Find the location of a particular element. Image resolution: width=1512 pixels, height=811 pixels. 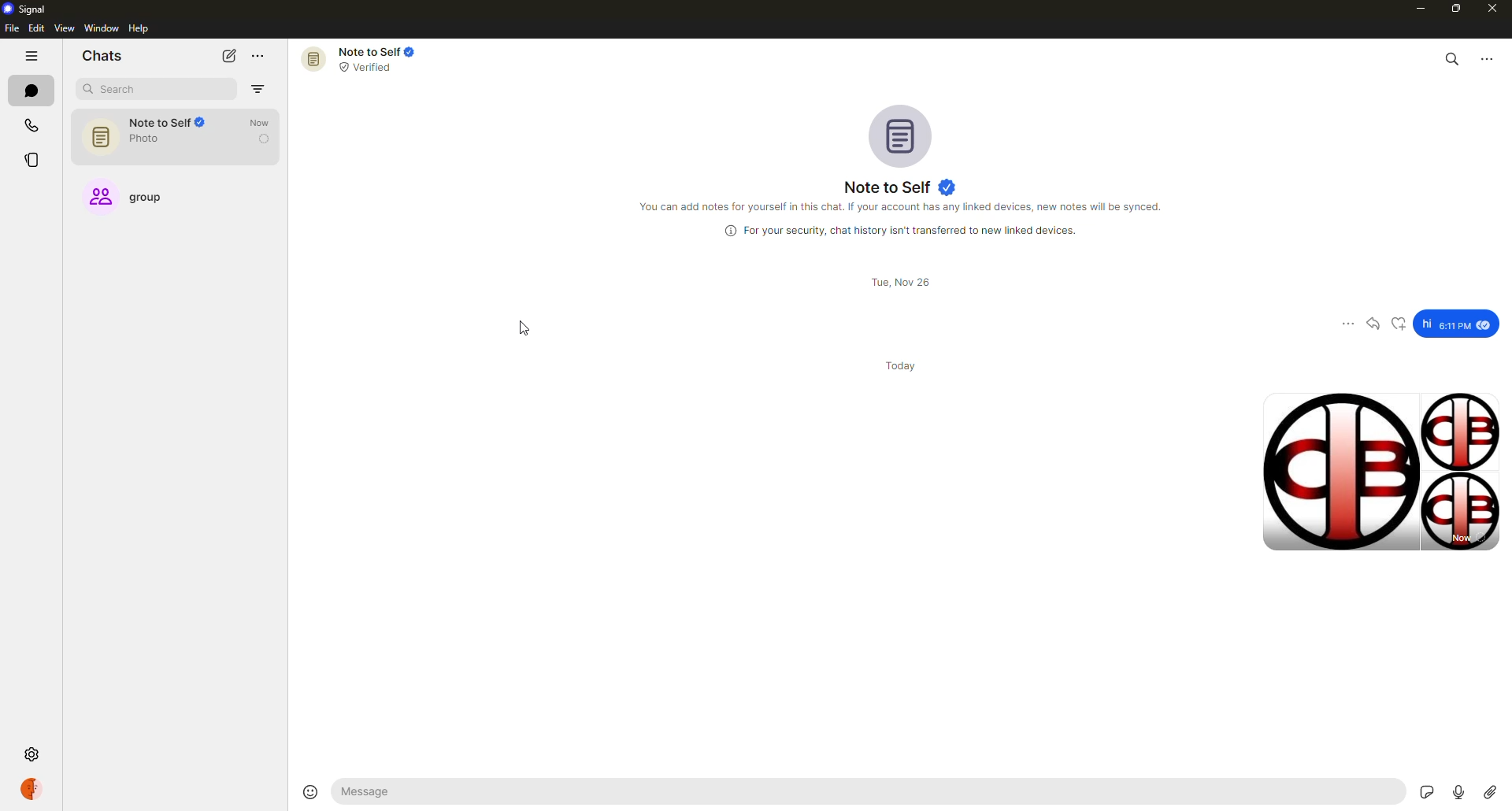

file is located at coordinates (10, 30).